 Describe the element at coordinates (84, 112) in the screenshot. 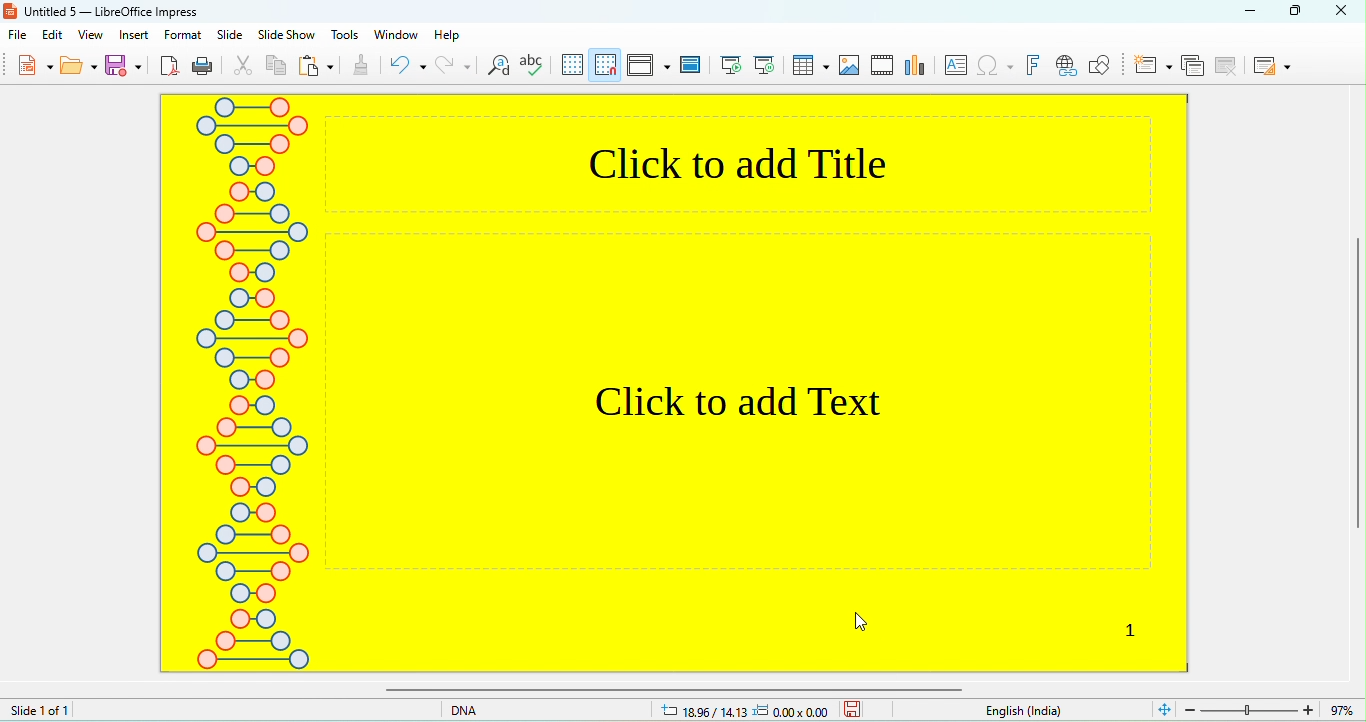

I see `slide1 dialog box` at that location.